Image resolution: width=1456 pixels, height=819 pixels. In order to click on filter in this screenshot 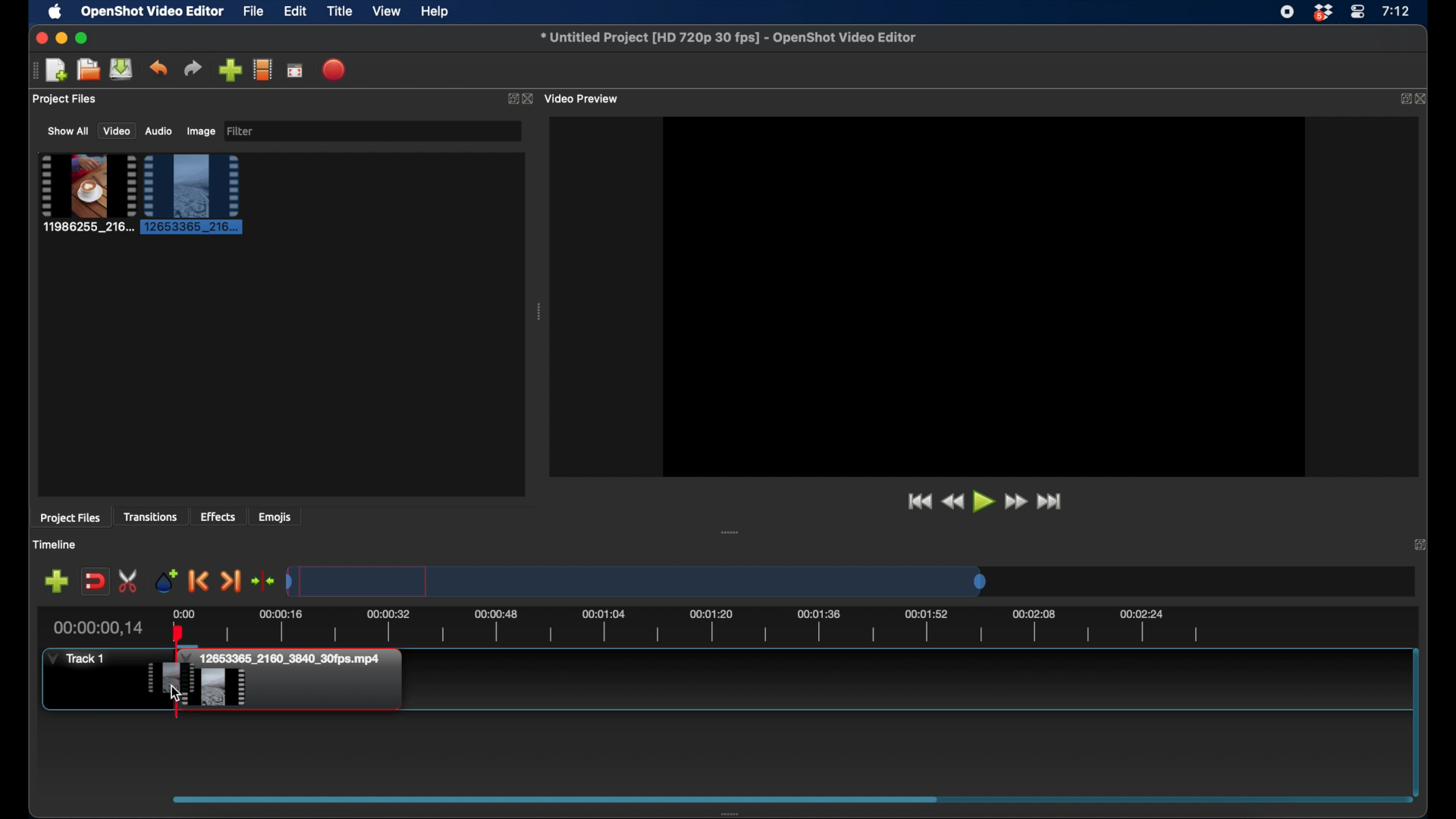, I will do `click(243, 131)`.